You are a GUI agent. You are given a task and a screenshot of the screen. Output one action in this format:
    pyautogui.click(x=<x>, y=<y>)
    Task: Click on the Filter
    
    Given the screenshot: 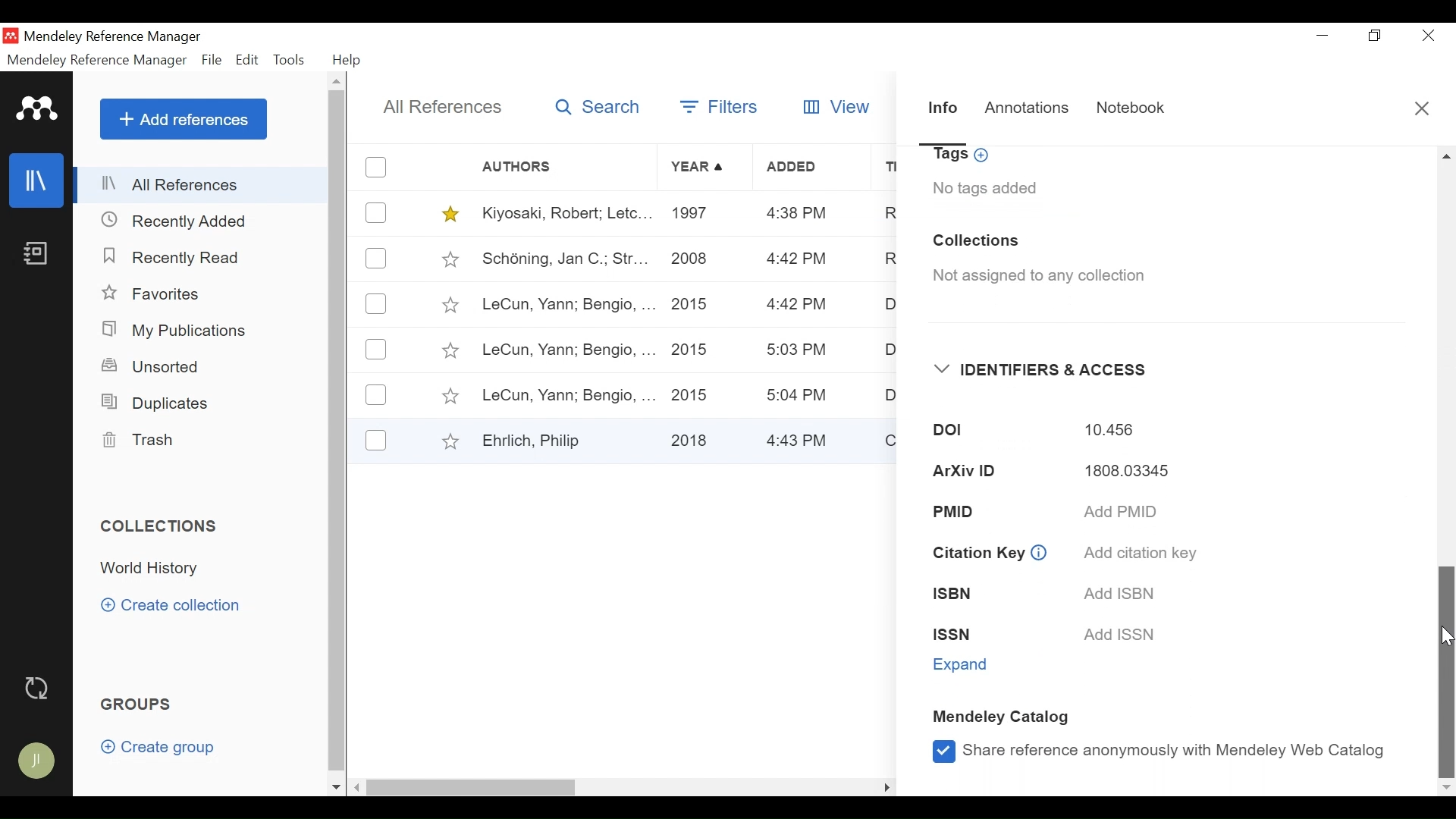 What is the action you would take?
    pyautogui.click(x=722, y=109)
    